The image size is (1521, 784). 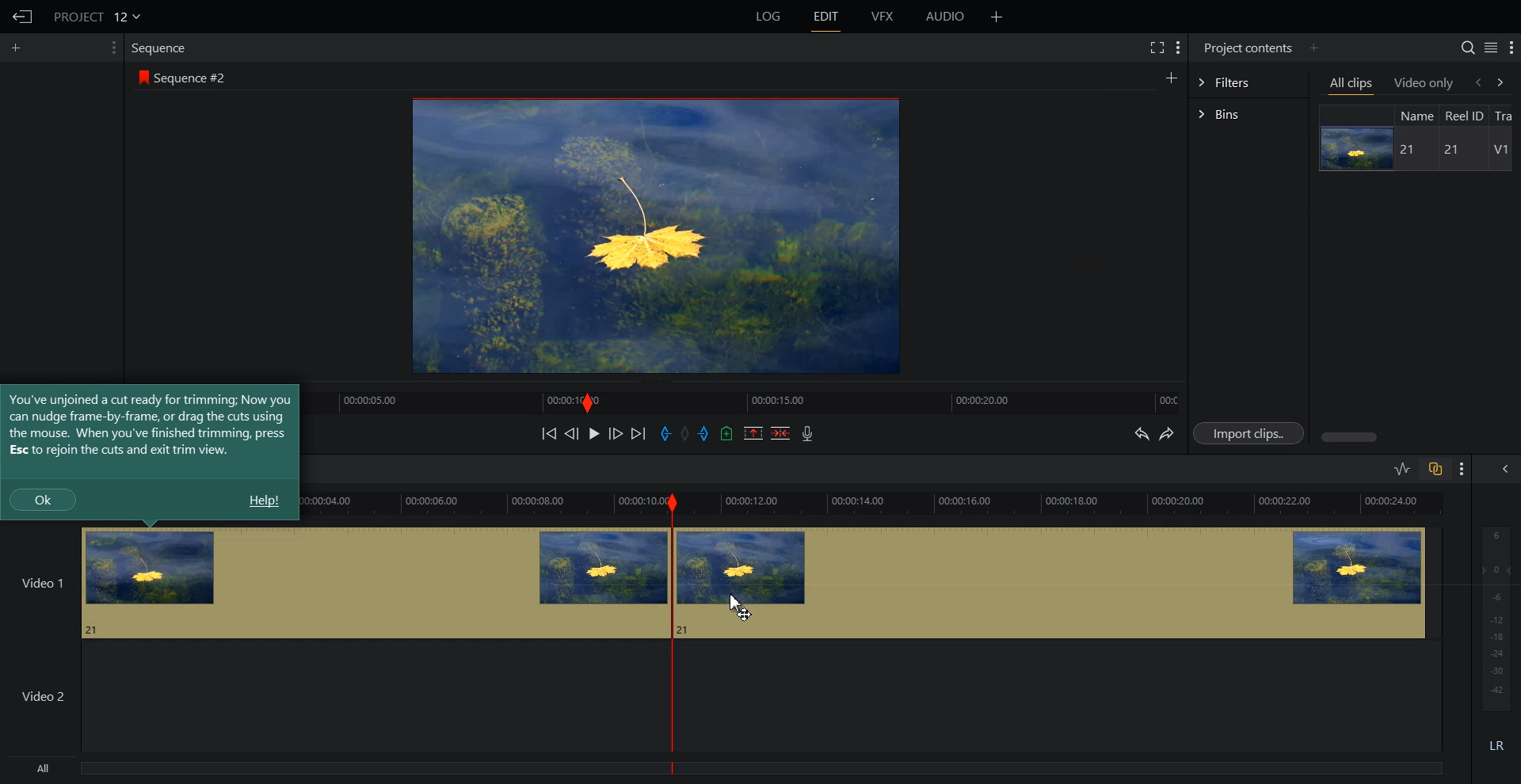 What do you see at coordinates (659, 237) in the screenshot?
I see `Preview Window` at bounding box center [659, 237].